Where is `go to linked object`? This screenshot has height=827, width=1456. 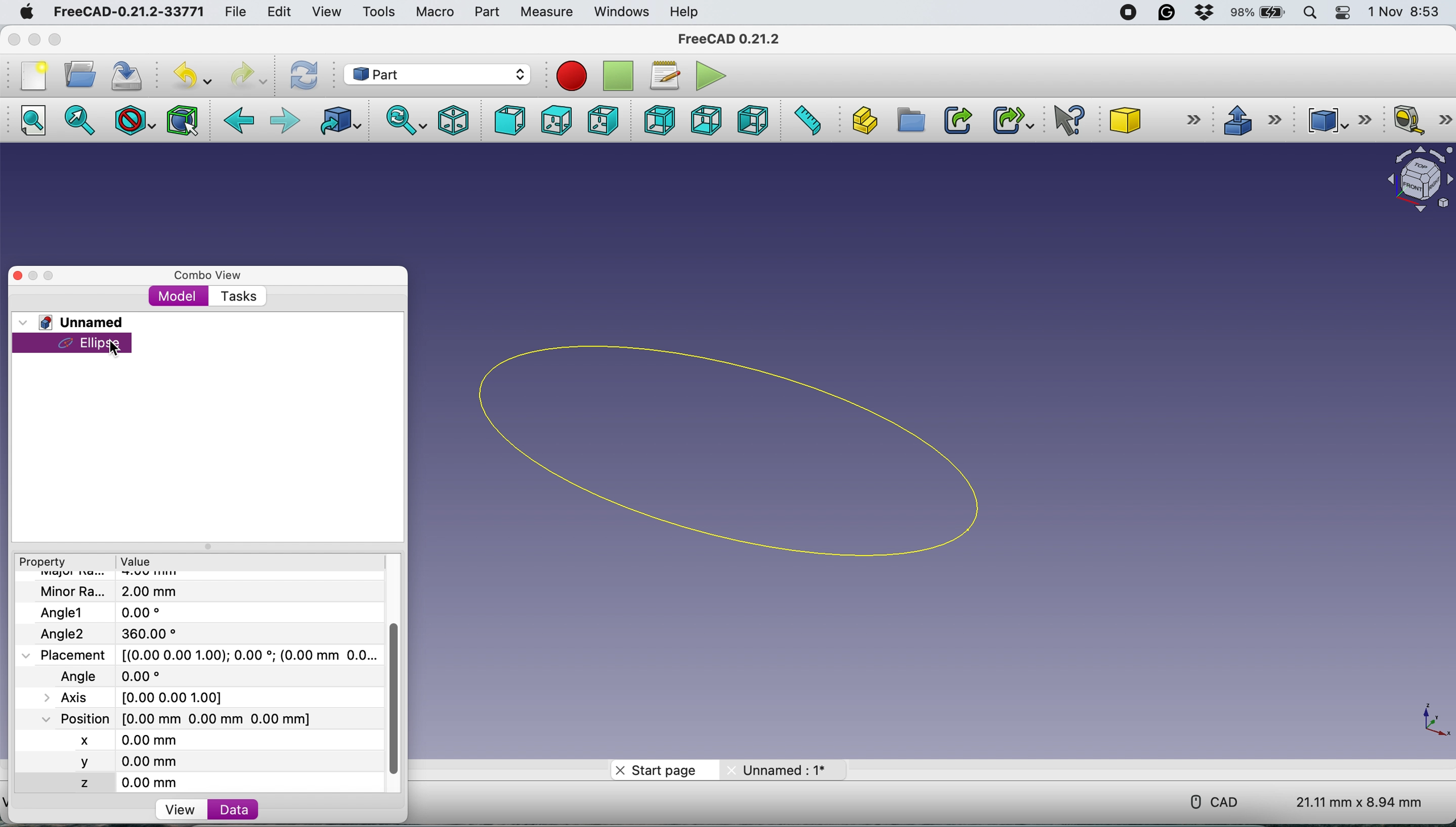
go to linked object is located at coordinates (337, 120).